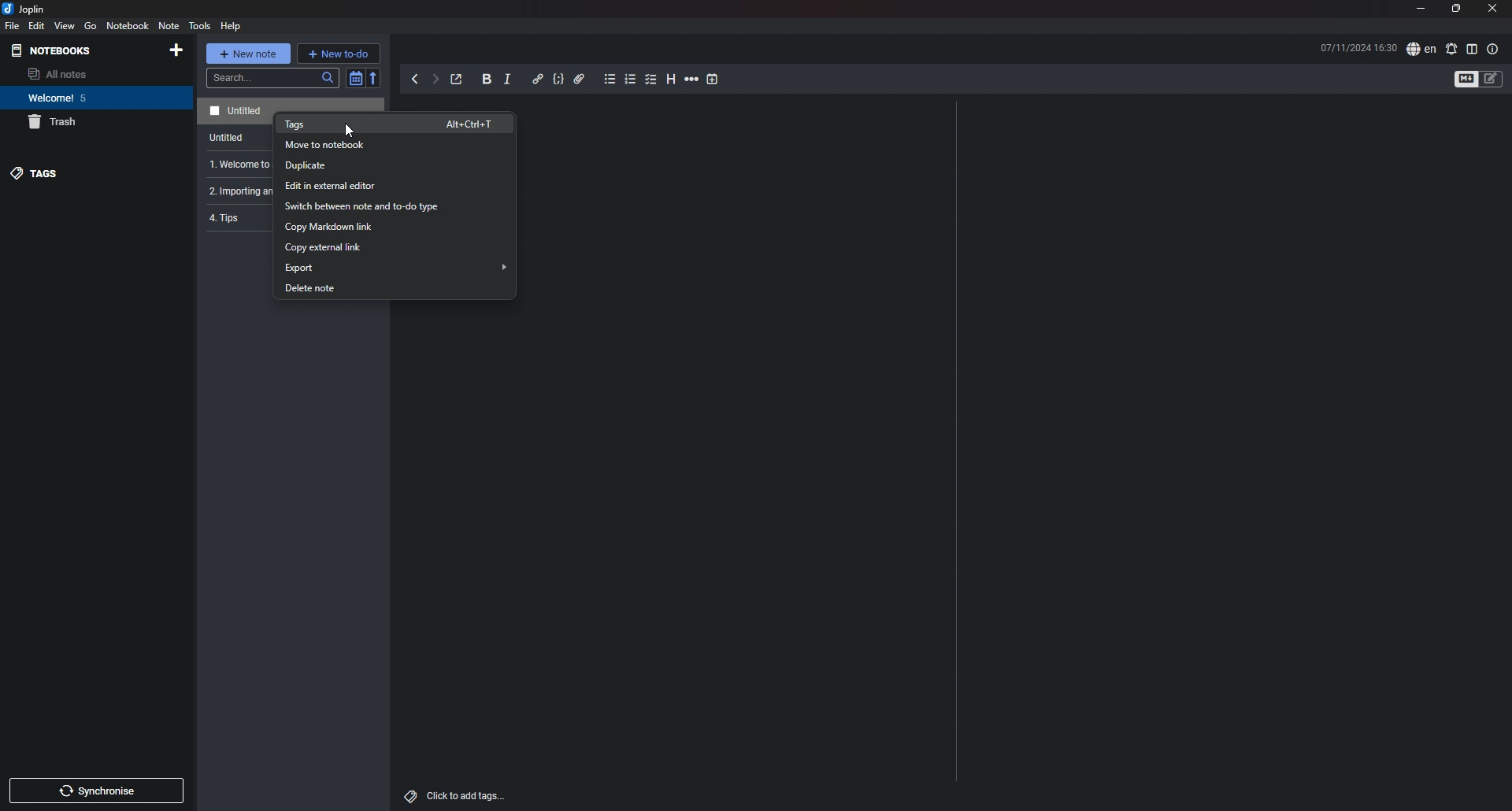 The width and height of the screenshot is (1512, 811). Describe the element at coordinates (610, 80) in the screenshot. I see `bullet list` at that location.